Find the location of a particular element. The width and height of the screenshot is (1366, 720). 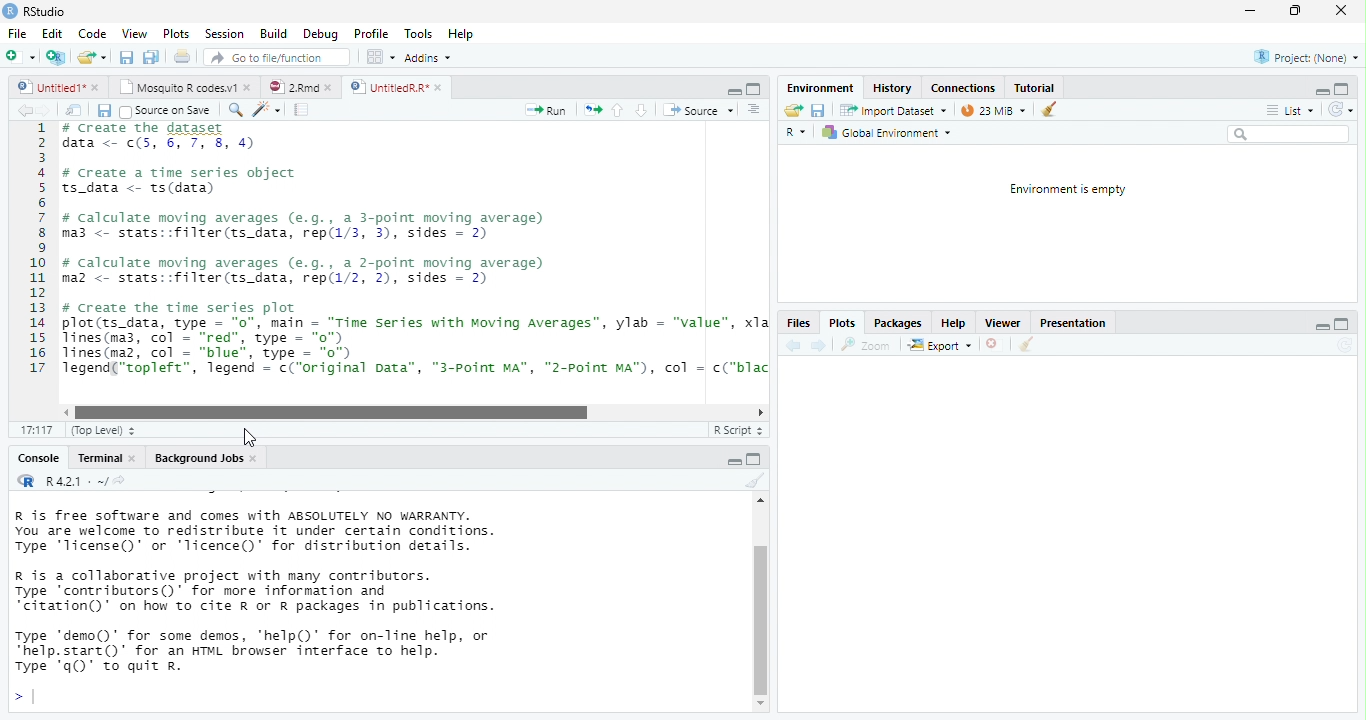

‘Source is located at coordinates (700, 110).